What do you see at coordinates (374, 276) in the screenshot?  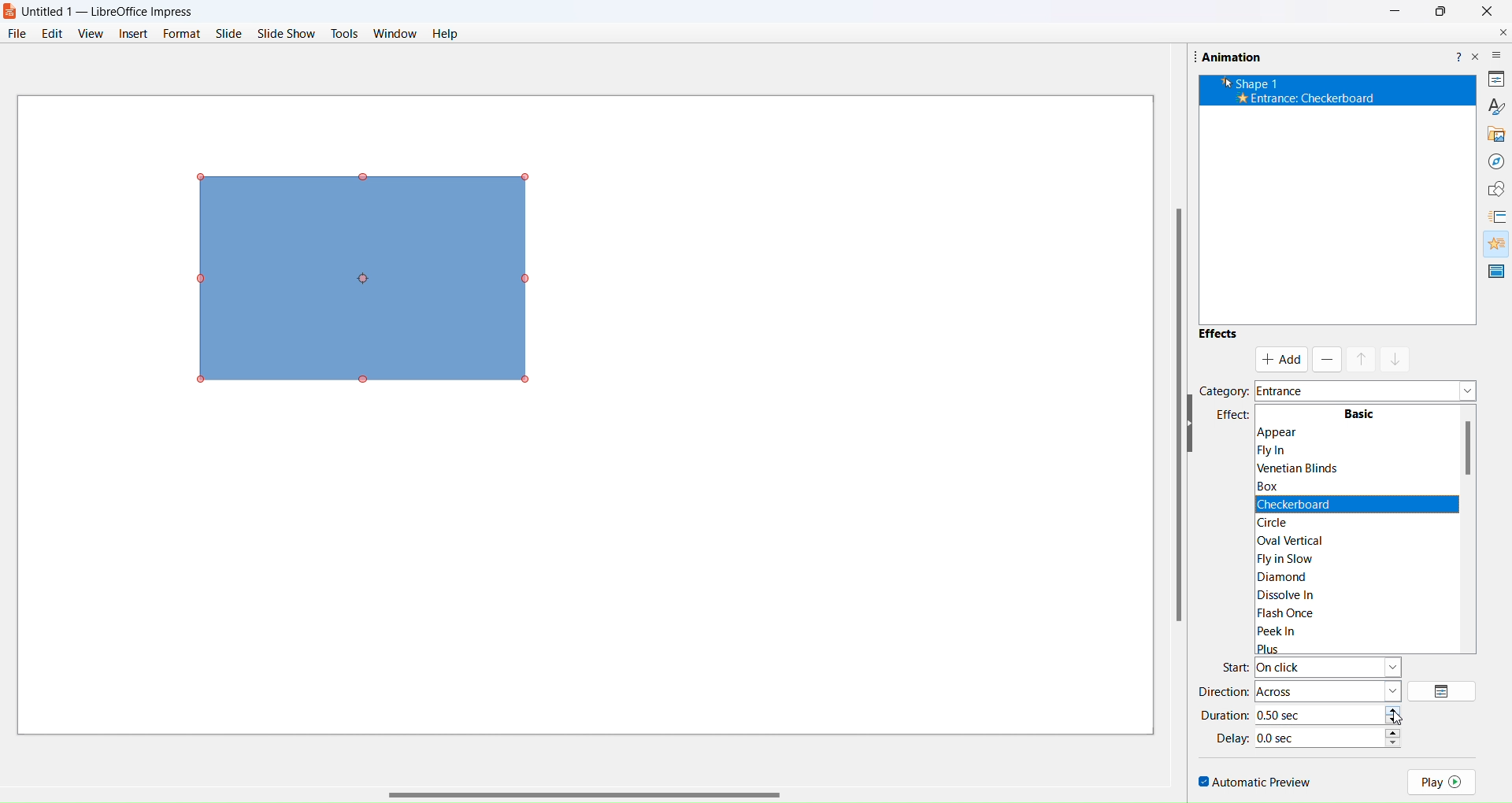 I see `object` at bounding box center [374, 276].